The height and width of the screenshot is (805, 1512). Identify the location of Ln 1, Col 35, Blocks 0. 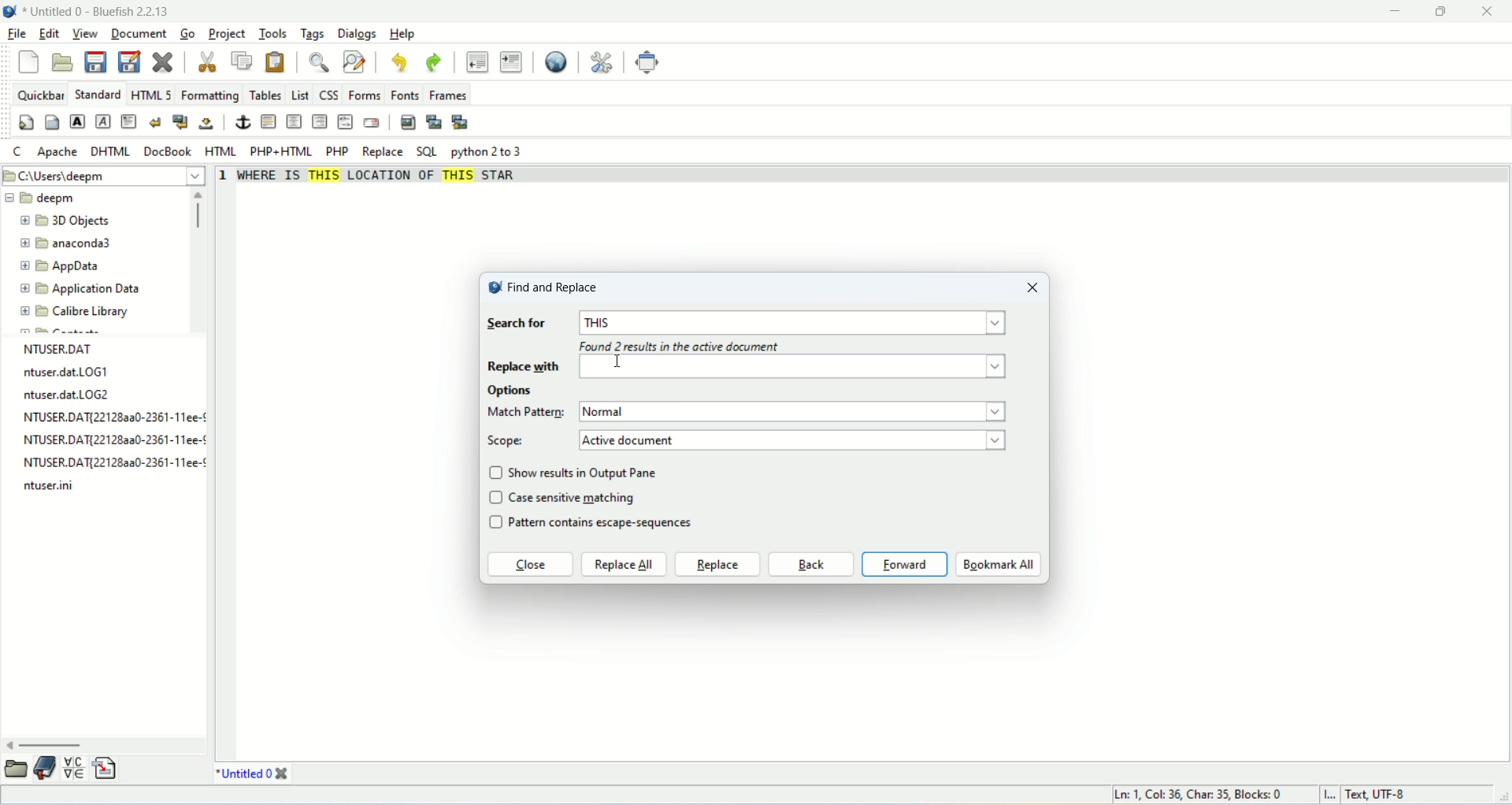
(1206, 795).